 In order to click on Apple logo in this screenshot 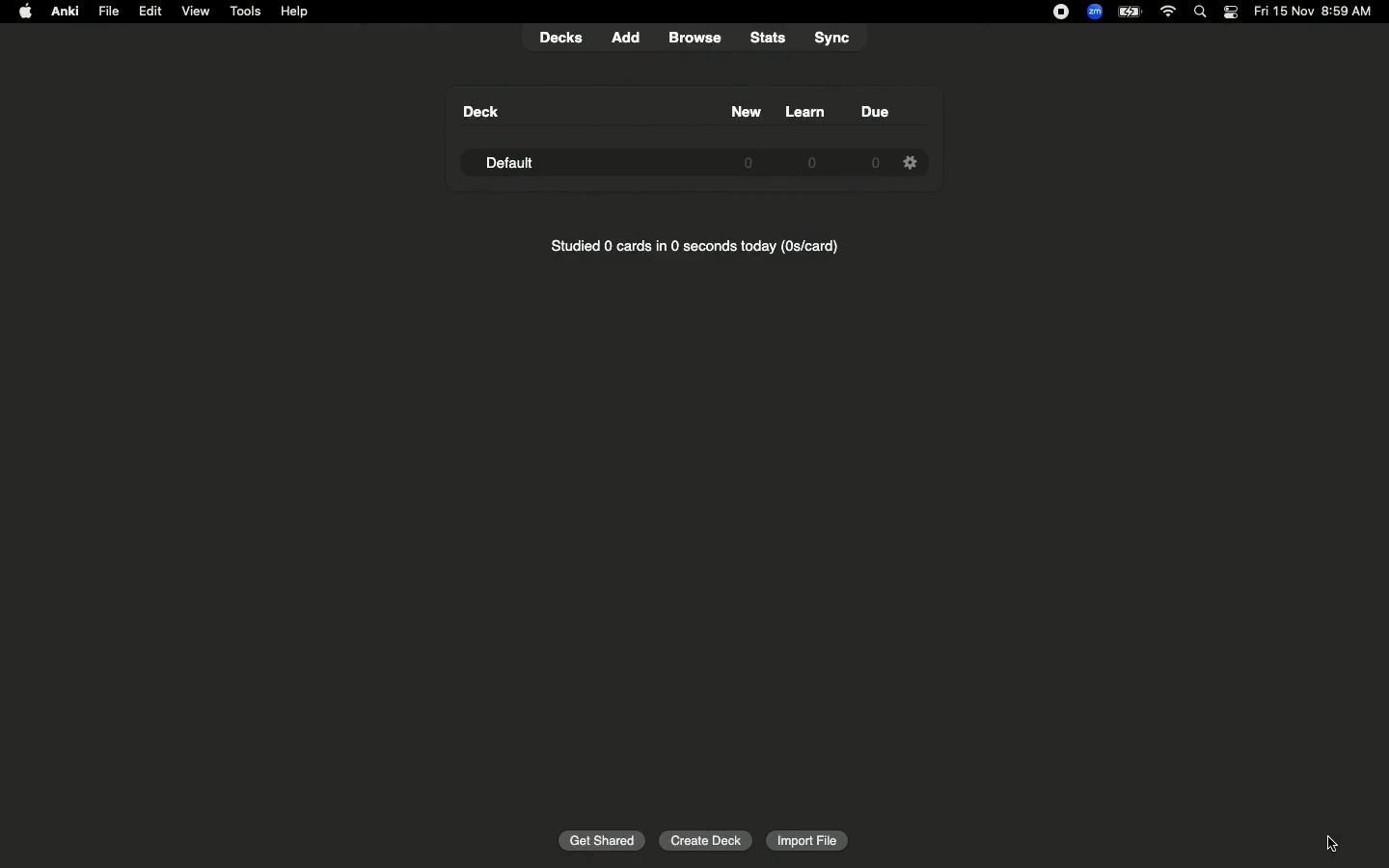, I will do `click(27, 12)`.